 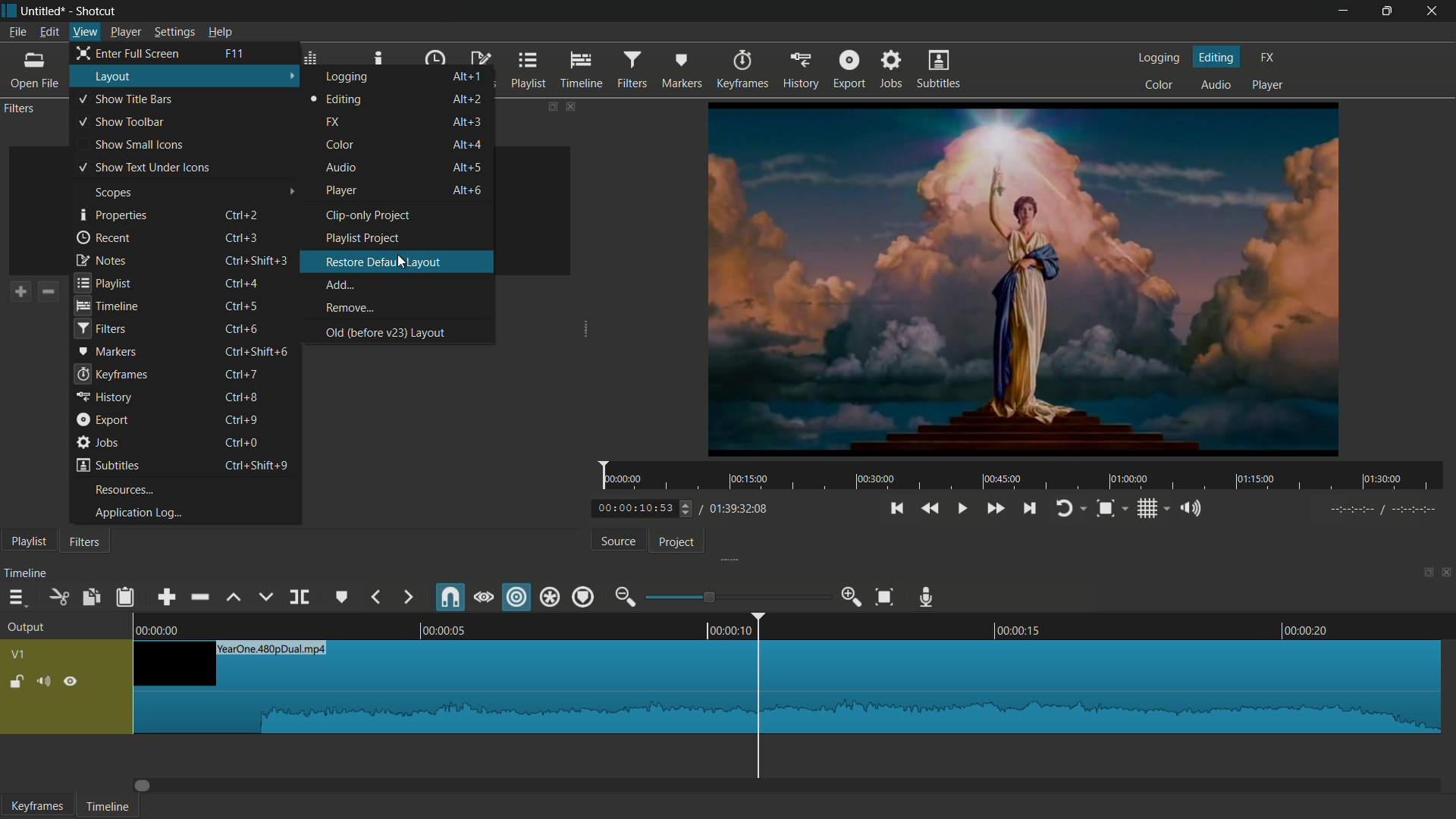 What do you see at coordinates (483, 598) in the screenshot?
I see `scrub while dragging` at bounding box center [483, 598].